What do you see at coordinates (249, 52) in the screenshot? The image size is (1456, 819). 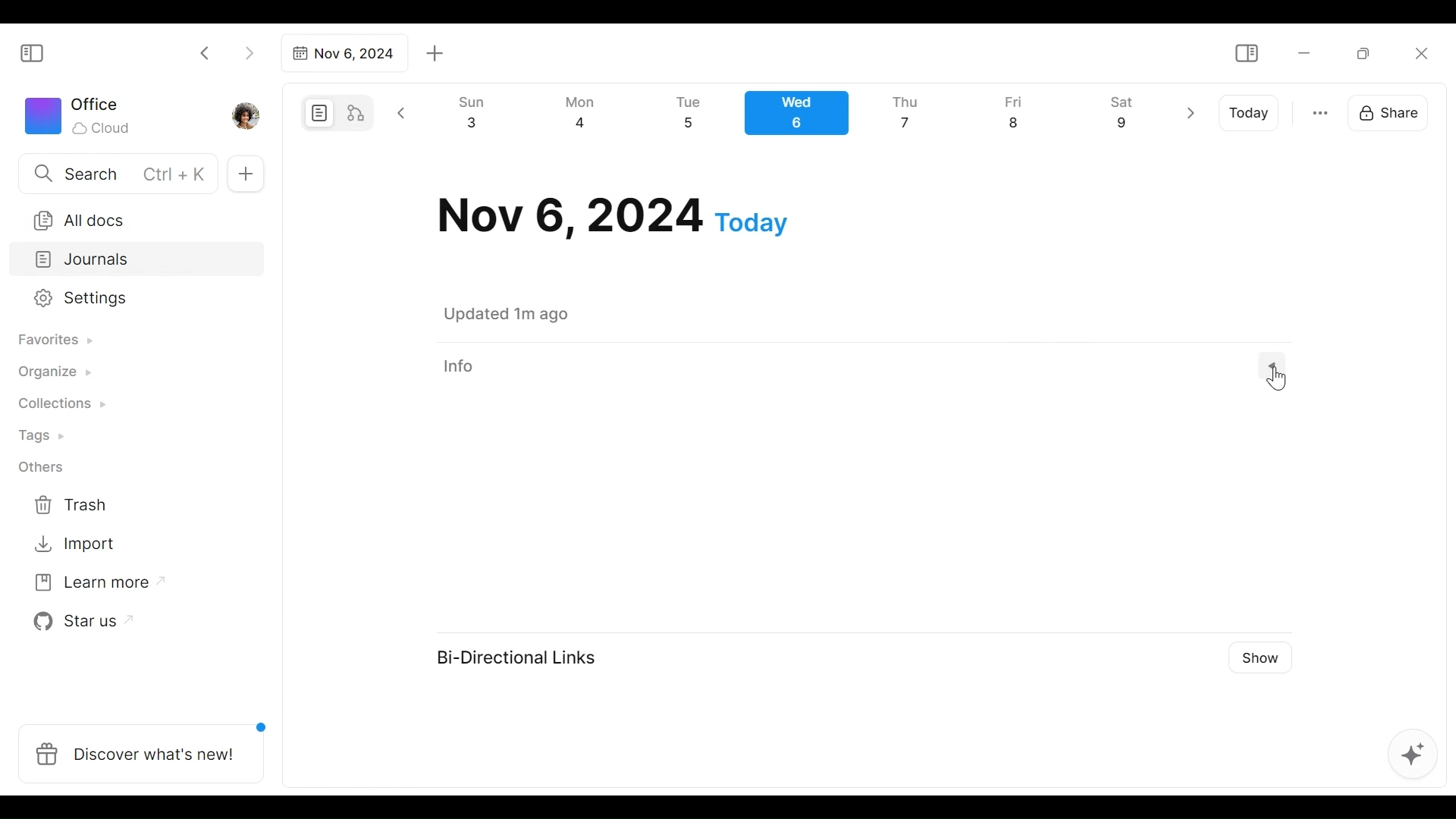 I see `Click to go forward` at bounding box center [249, 52].